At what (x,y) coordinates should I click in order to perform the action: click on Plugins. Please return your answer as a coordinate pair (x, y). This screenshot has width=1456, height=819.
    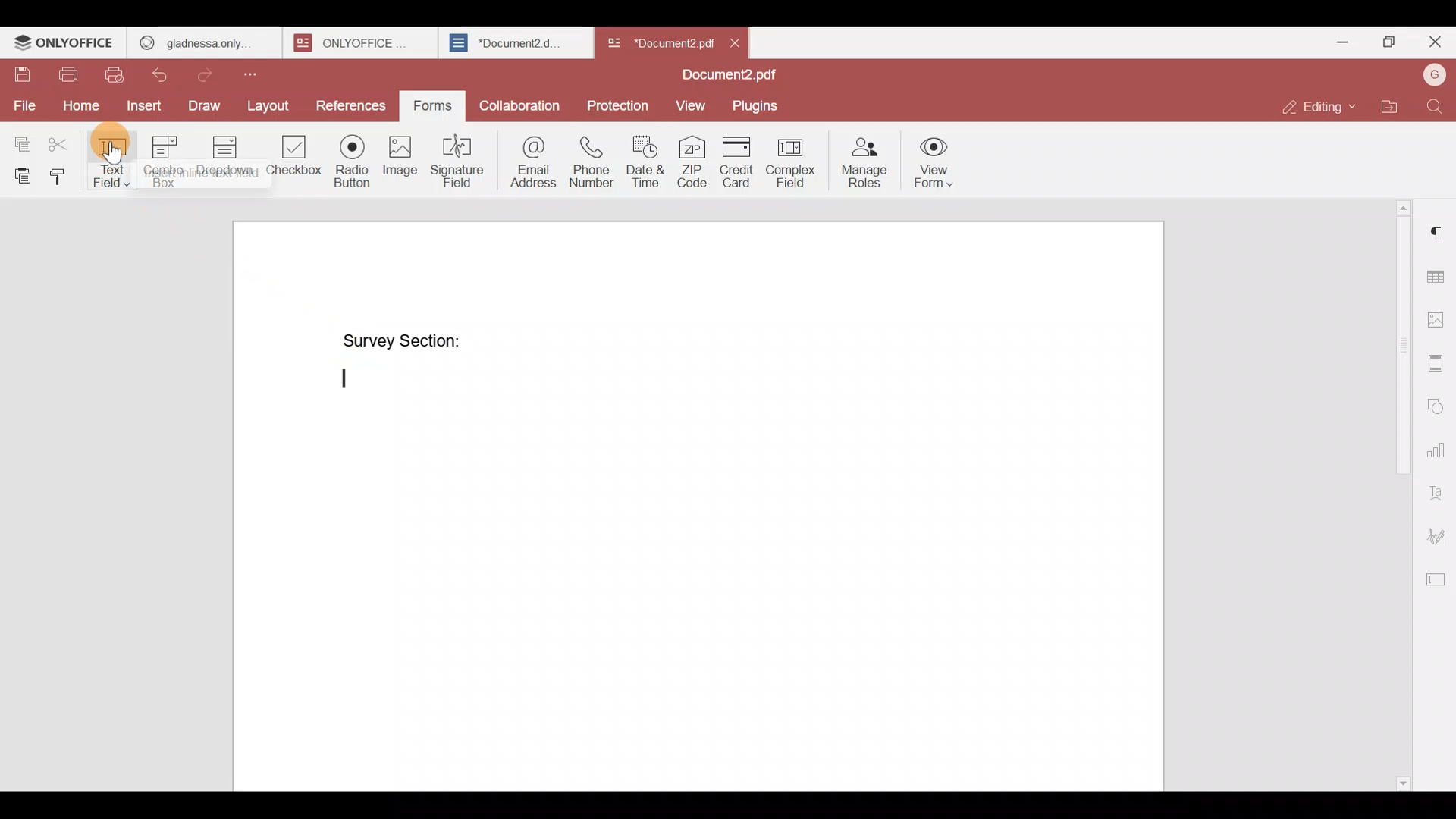
    Looking at the image, I should click on (756, 105).